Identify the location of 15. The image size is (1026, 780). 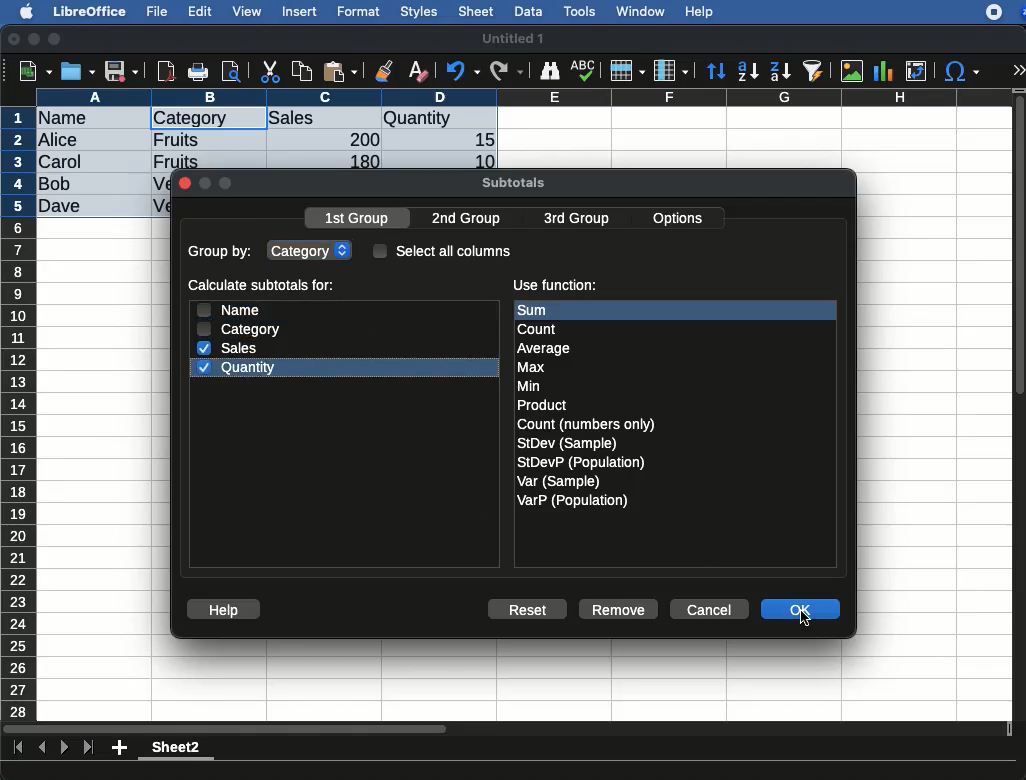
(479, 140).